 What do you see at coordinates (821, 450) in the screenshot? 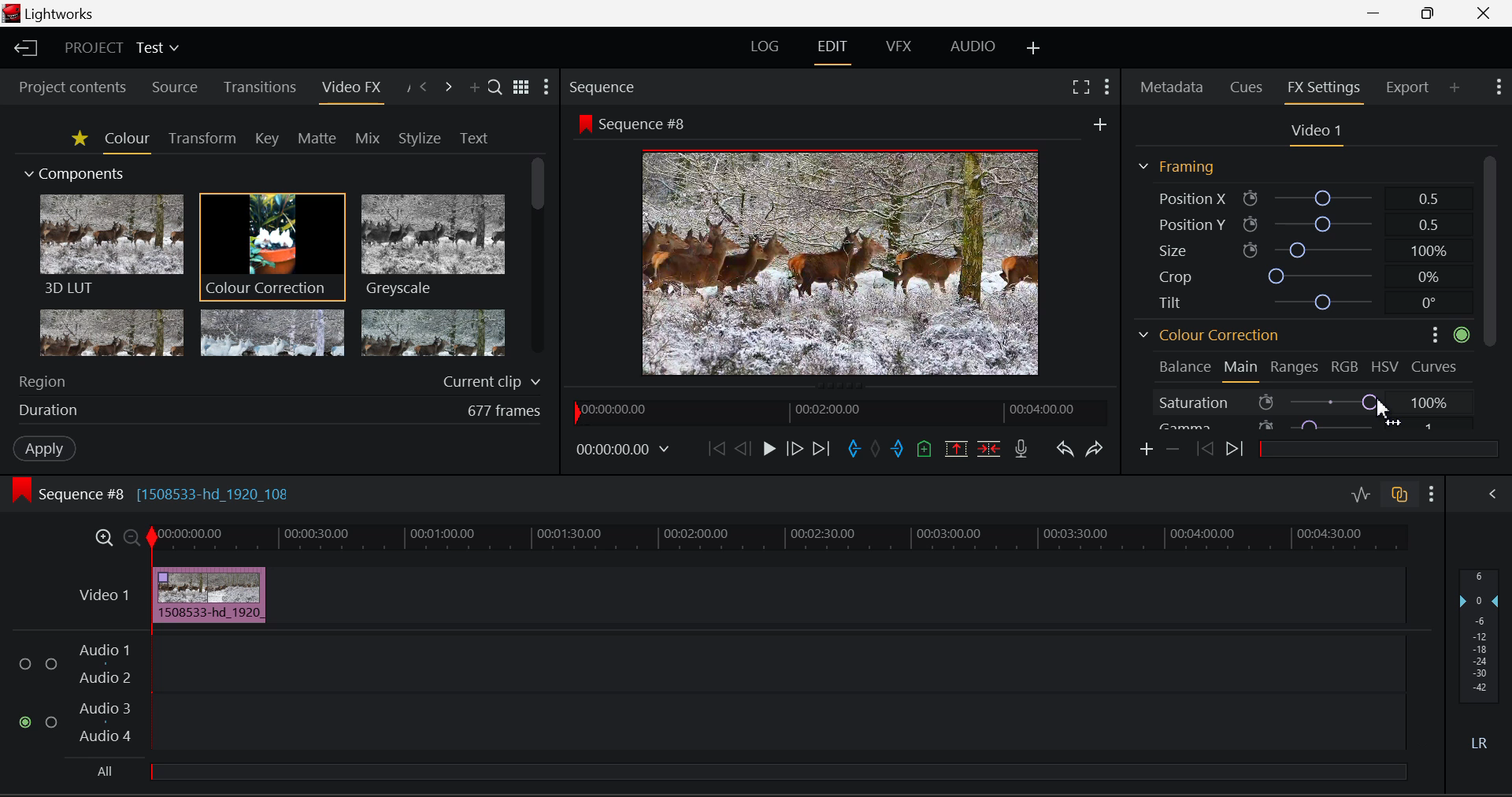
I see `To End` at bounding box center [821, 450].